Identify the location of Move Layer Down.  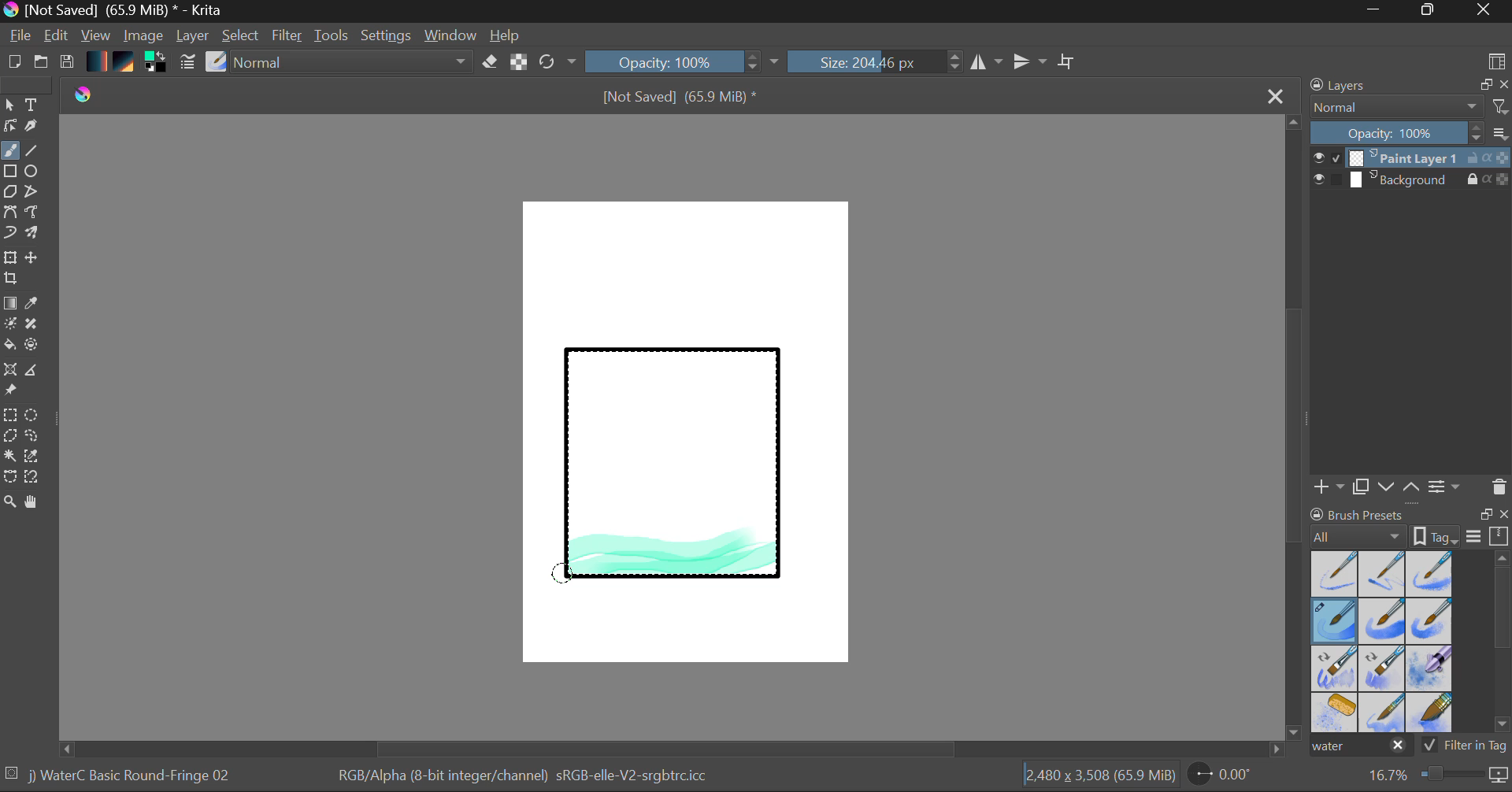
(1388, 487).